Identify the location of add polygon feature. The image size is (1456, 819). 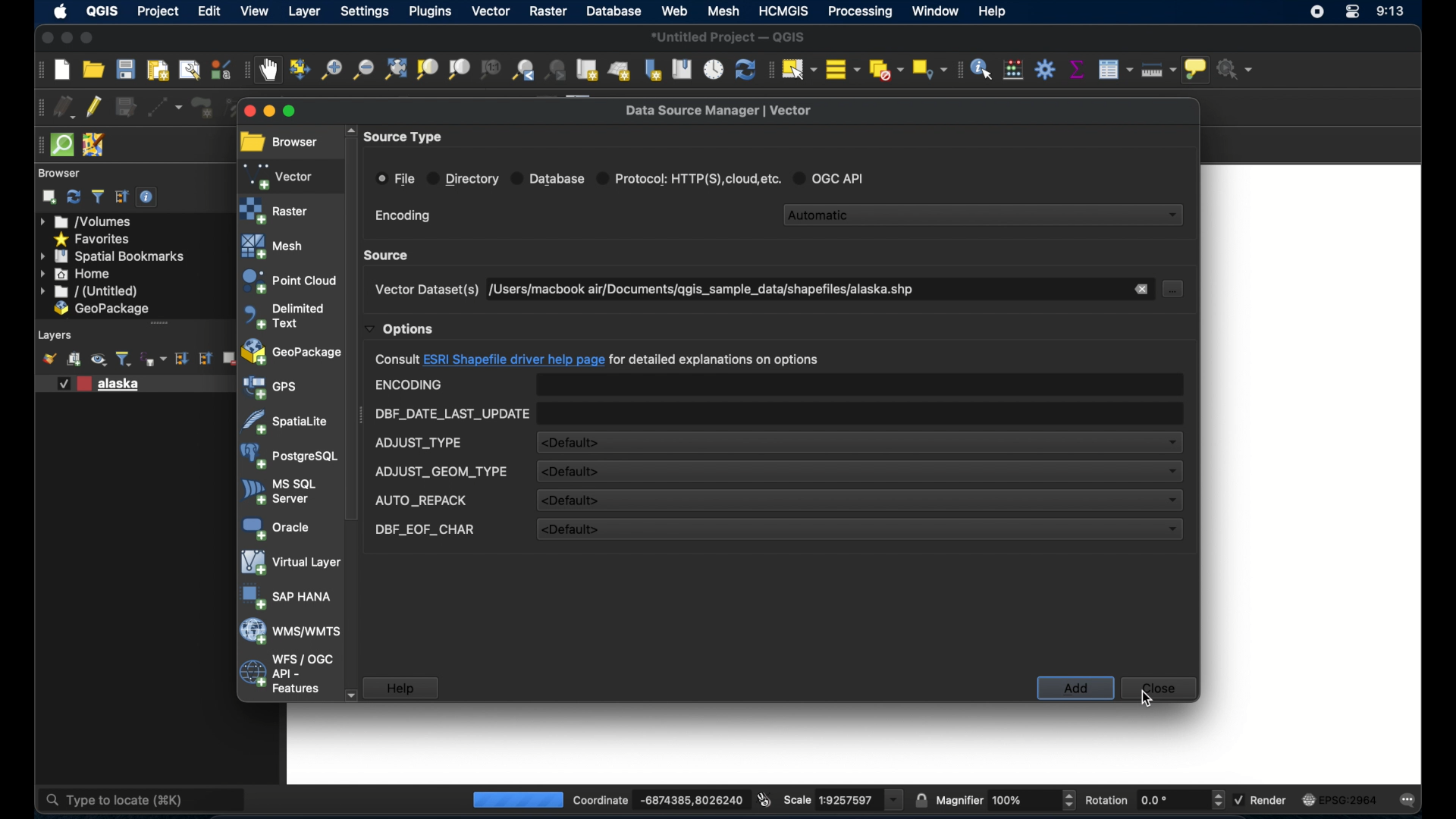
(199, 105).